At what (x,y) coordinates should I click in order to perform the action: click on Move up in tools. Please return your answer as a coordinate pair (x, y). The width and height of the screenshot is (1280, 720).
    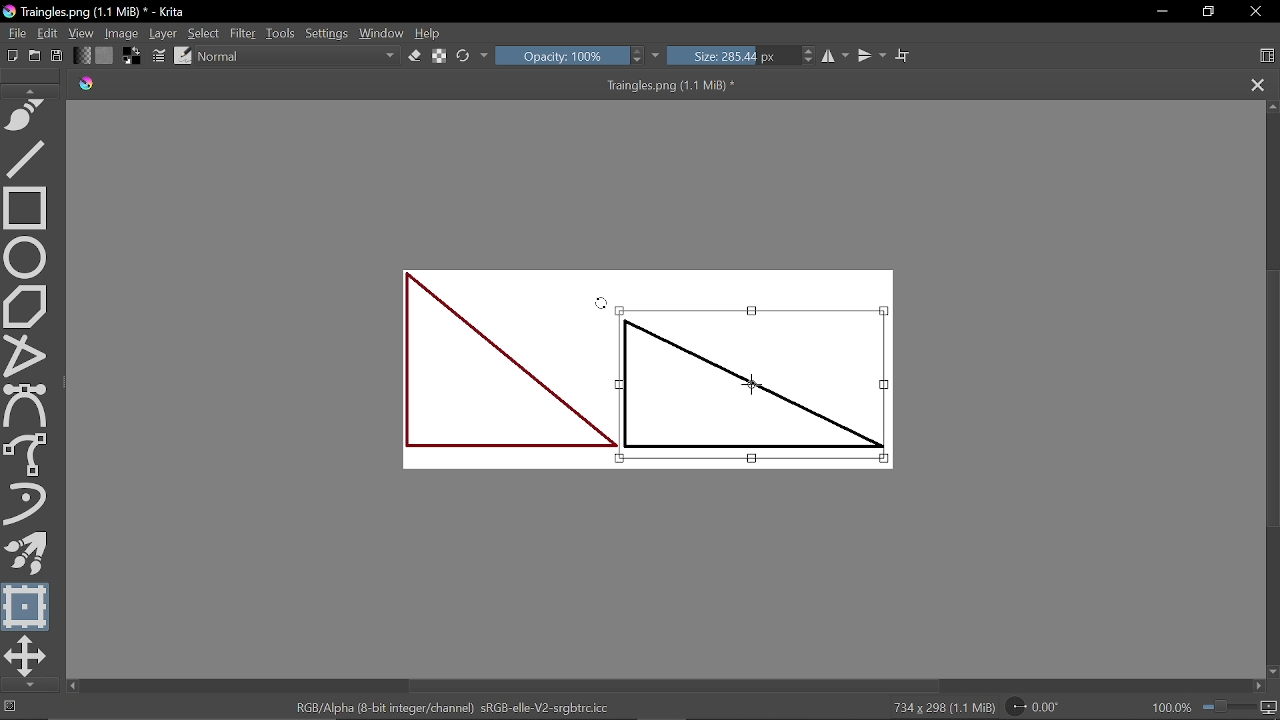
    Looking at the image, I should click on (33, 90).